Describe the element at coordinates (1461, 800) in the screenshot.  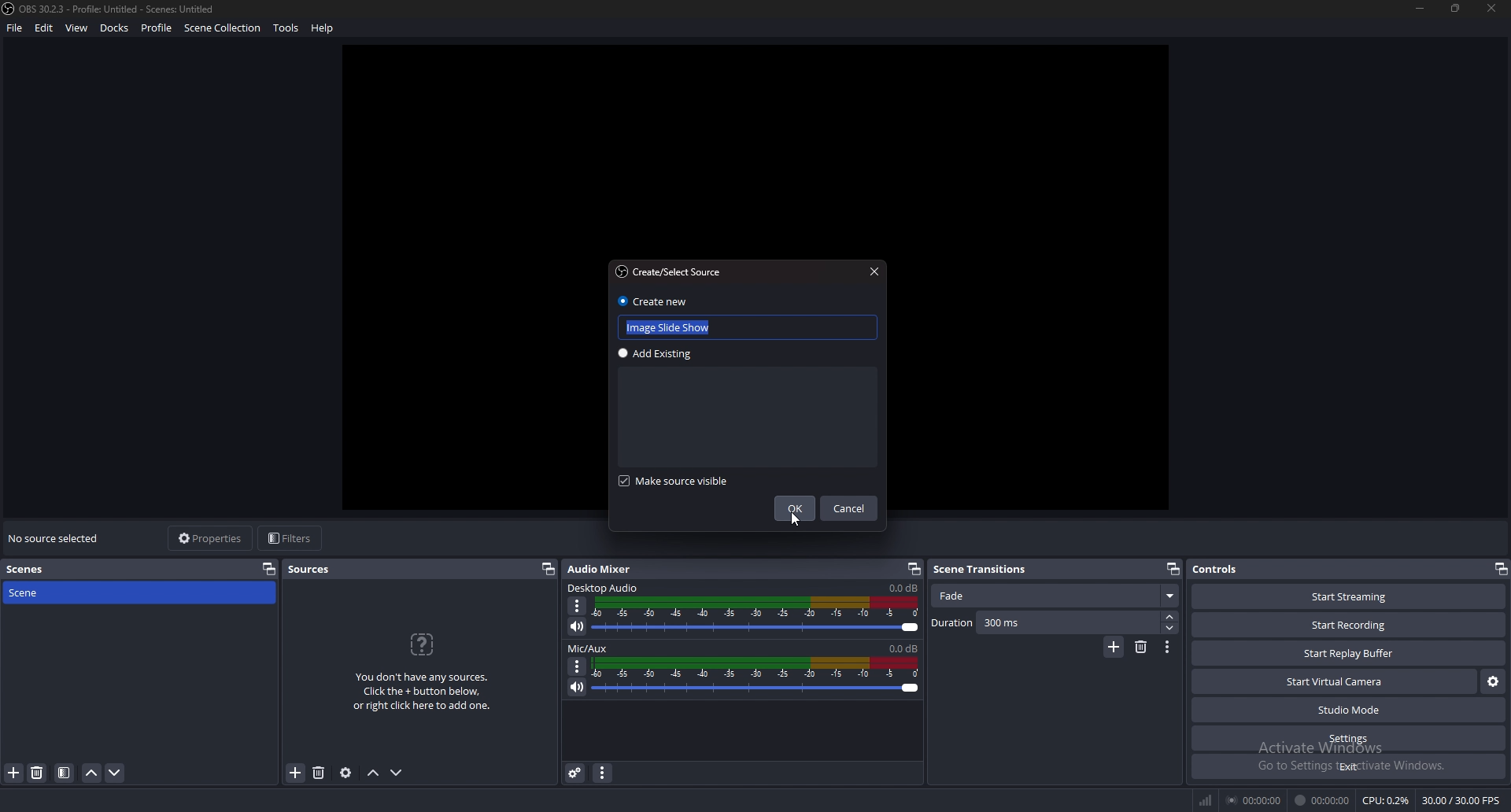
I see `fps` at that location.